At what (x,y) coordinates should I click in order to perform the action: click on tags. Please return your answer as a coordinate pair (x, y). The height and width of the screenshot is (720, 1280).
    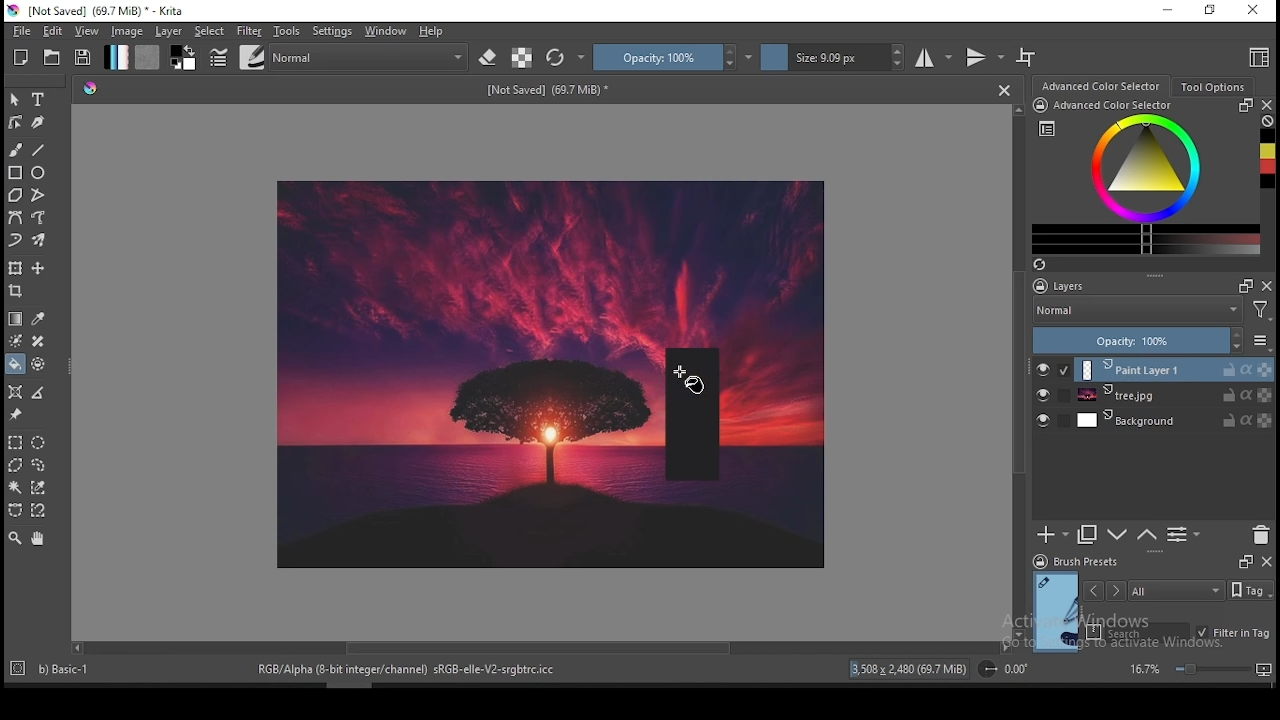
    Looking at the image, I should click on (1177, 590).